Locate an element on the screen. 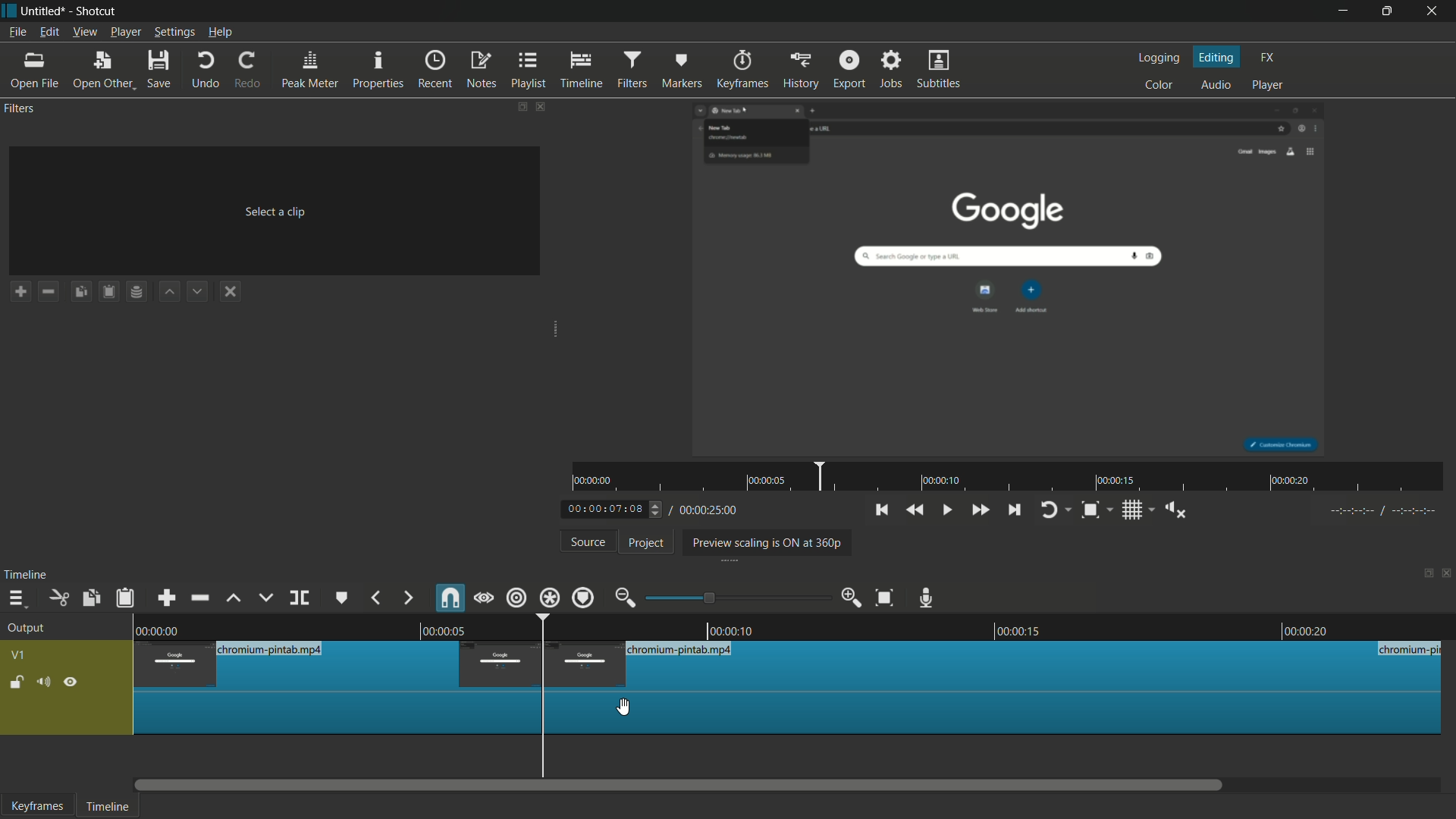 The image size is (1456, 819). peak meter is located at coordinates (309, 71).